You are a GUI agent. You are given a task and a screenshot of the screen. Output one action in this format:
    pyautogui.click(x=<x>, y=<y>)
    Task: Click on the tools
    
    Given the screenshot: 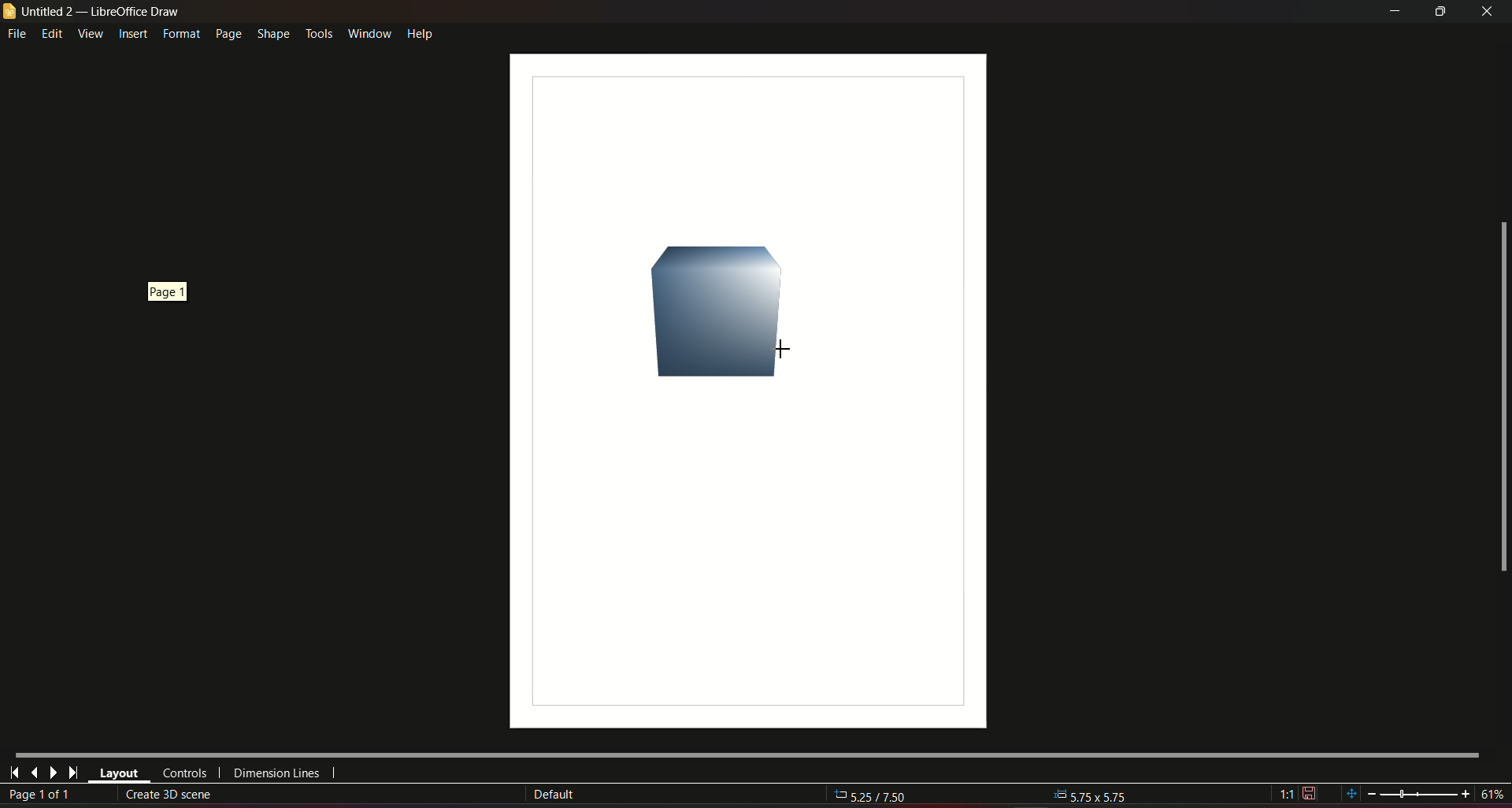 What is the action you would take?
    pyautogui.click(x=318, y=32)
    